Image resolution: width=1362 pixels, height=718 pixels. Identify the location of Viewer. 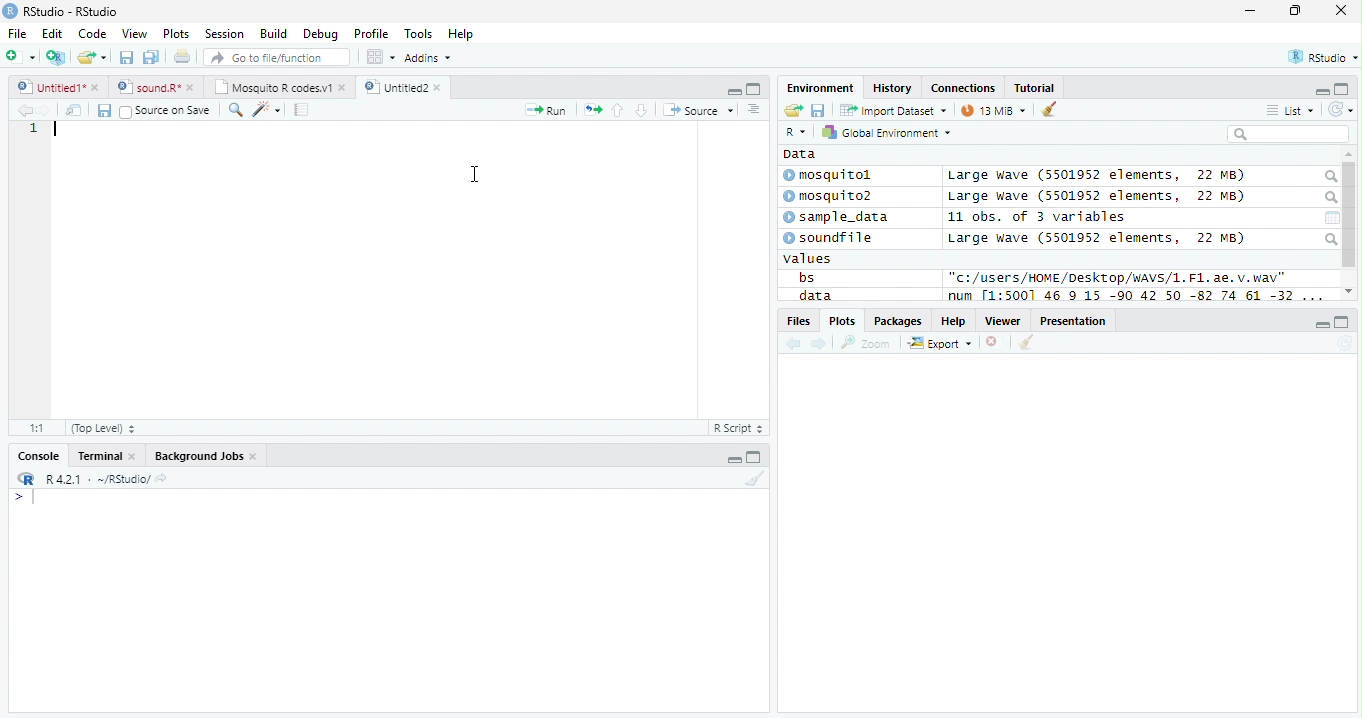
(1003, 321).